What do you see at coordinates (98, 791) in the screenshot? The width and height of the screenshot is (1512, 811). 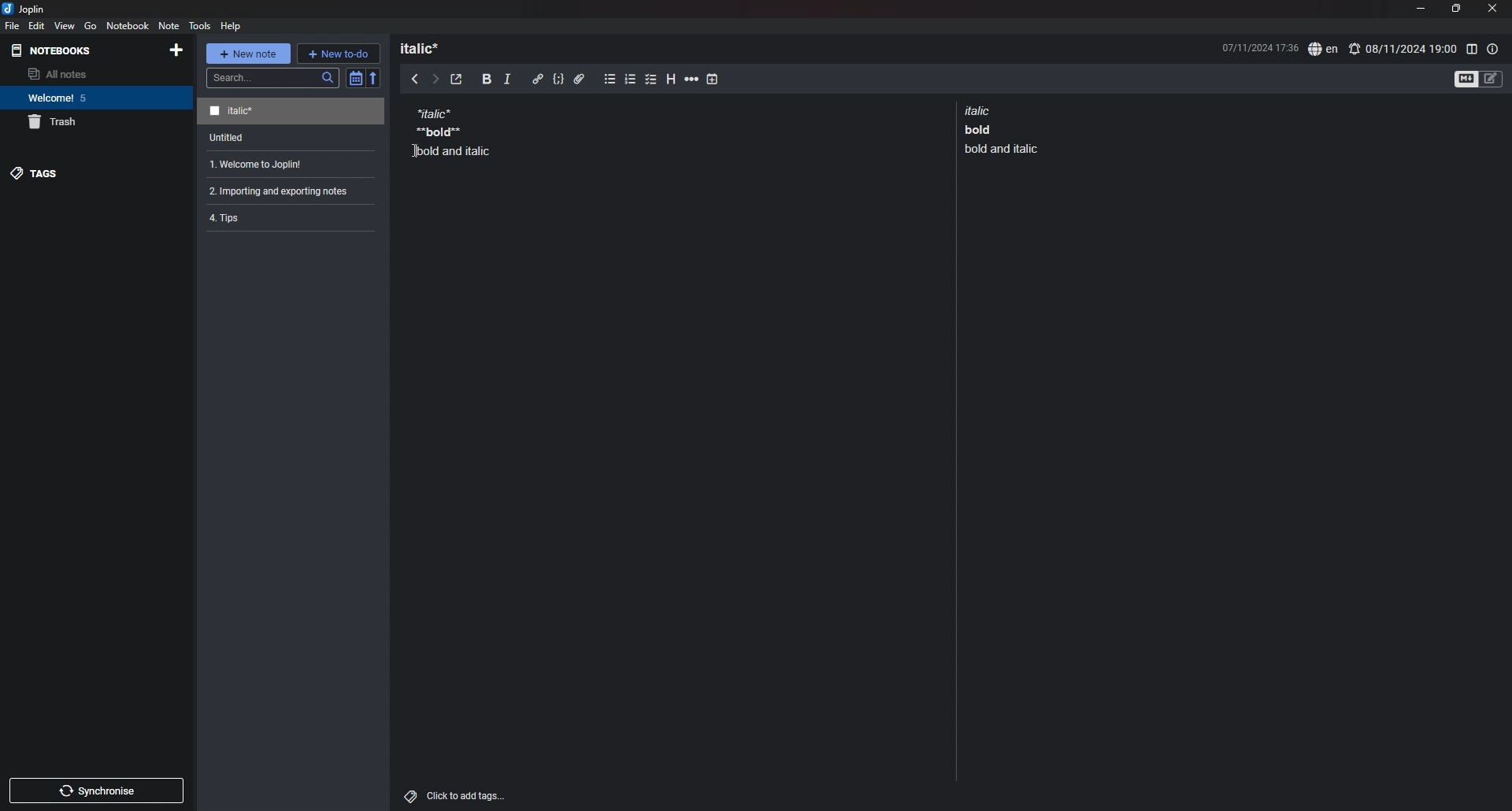 I see `sync` at bounding box center [98, 791].